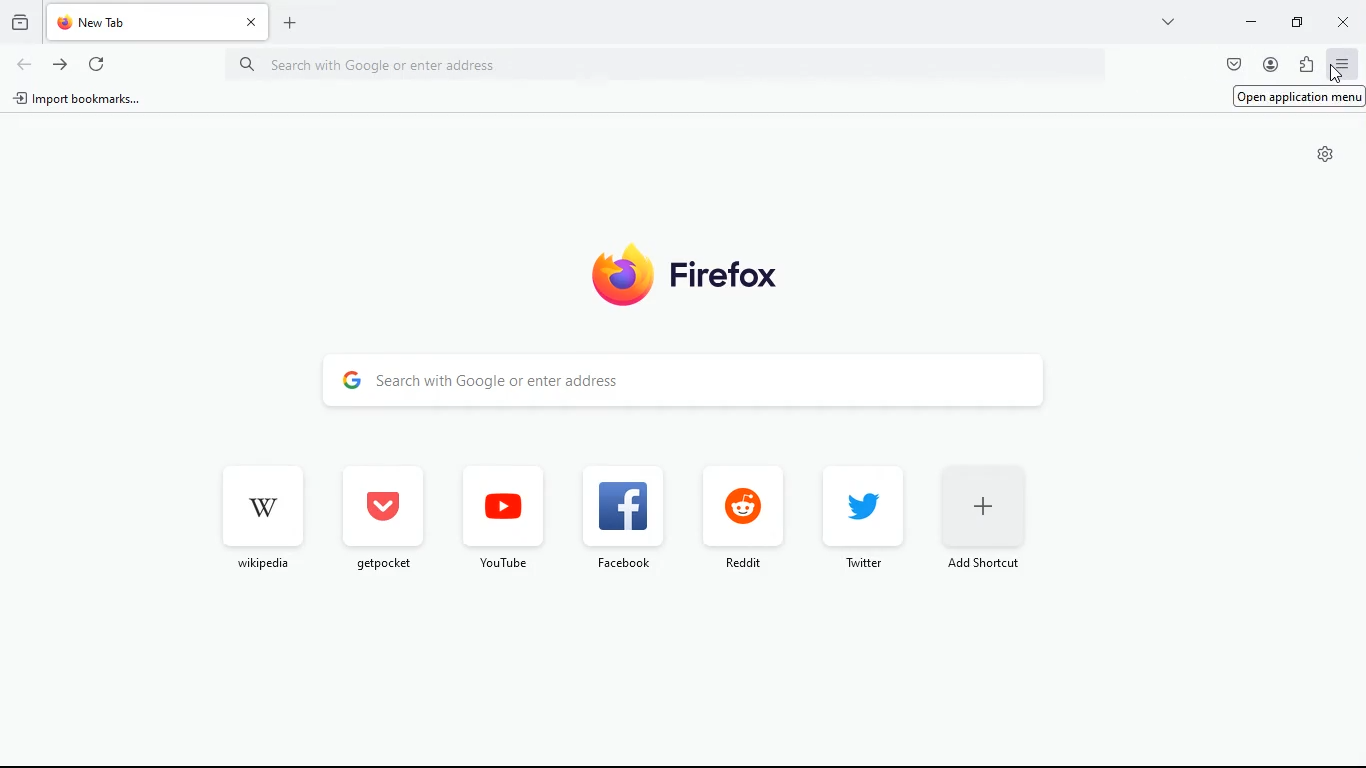  Describe the element at coordinates (1236, 67) in the screenshot. I see `pocket` at that location.